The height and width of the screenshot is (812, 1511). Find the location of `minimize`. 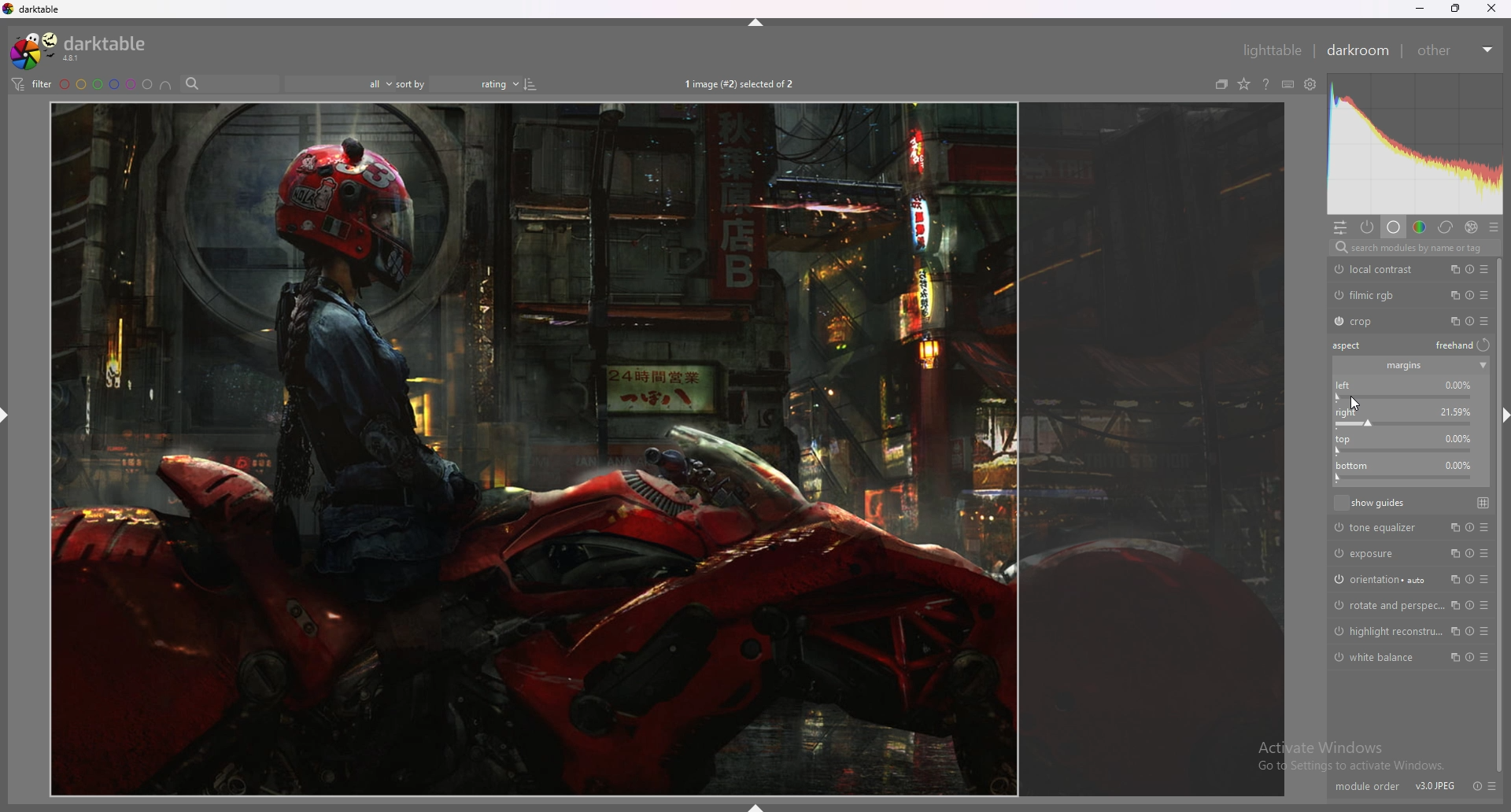

minimize is located at coordinates (1418, 9).